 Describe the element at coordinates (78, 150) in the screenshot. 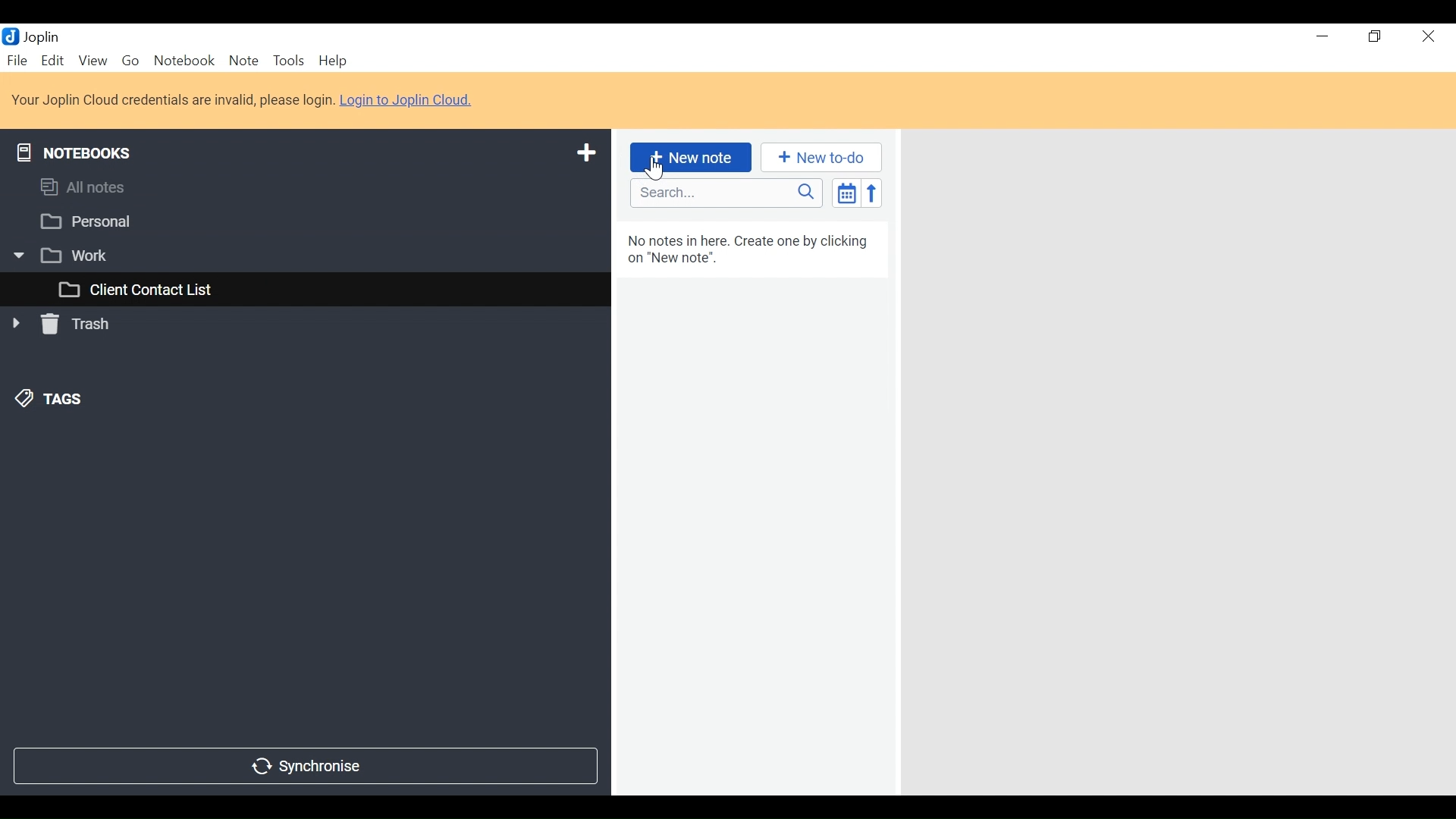

I see `Notebooks` at that location.